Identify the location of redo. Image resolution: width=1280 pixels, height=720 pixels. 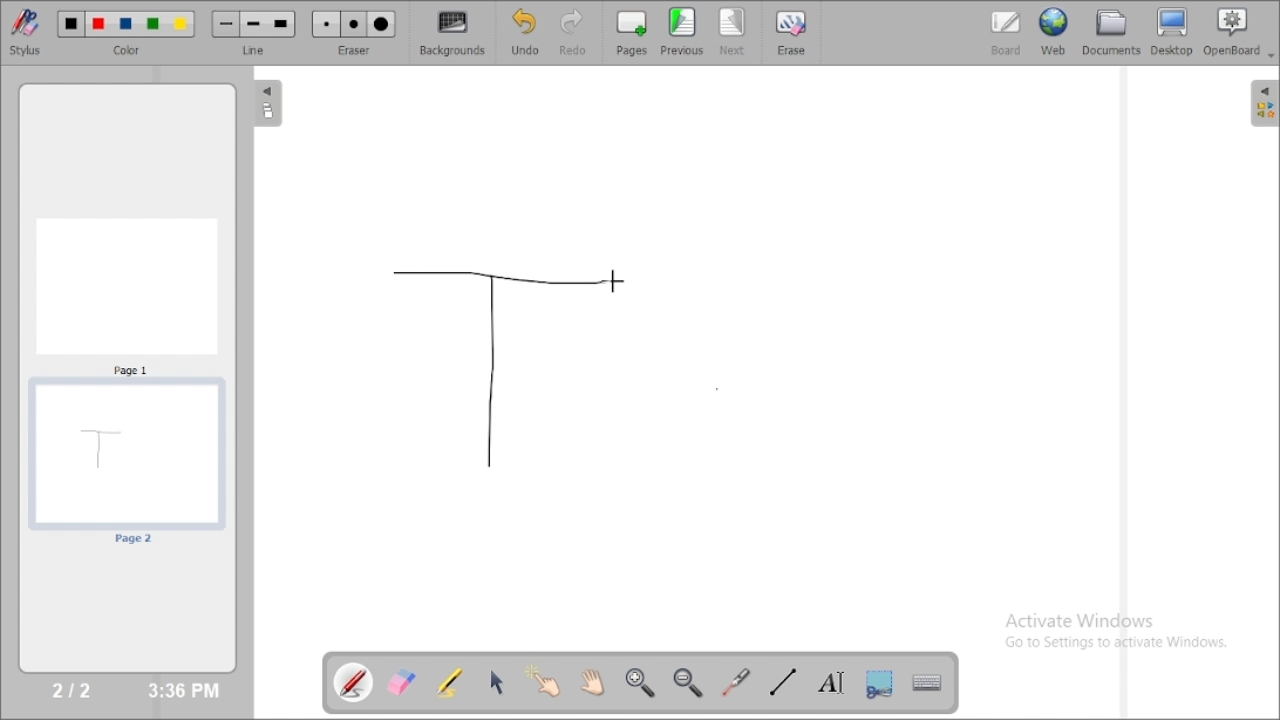
(578, 32).